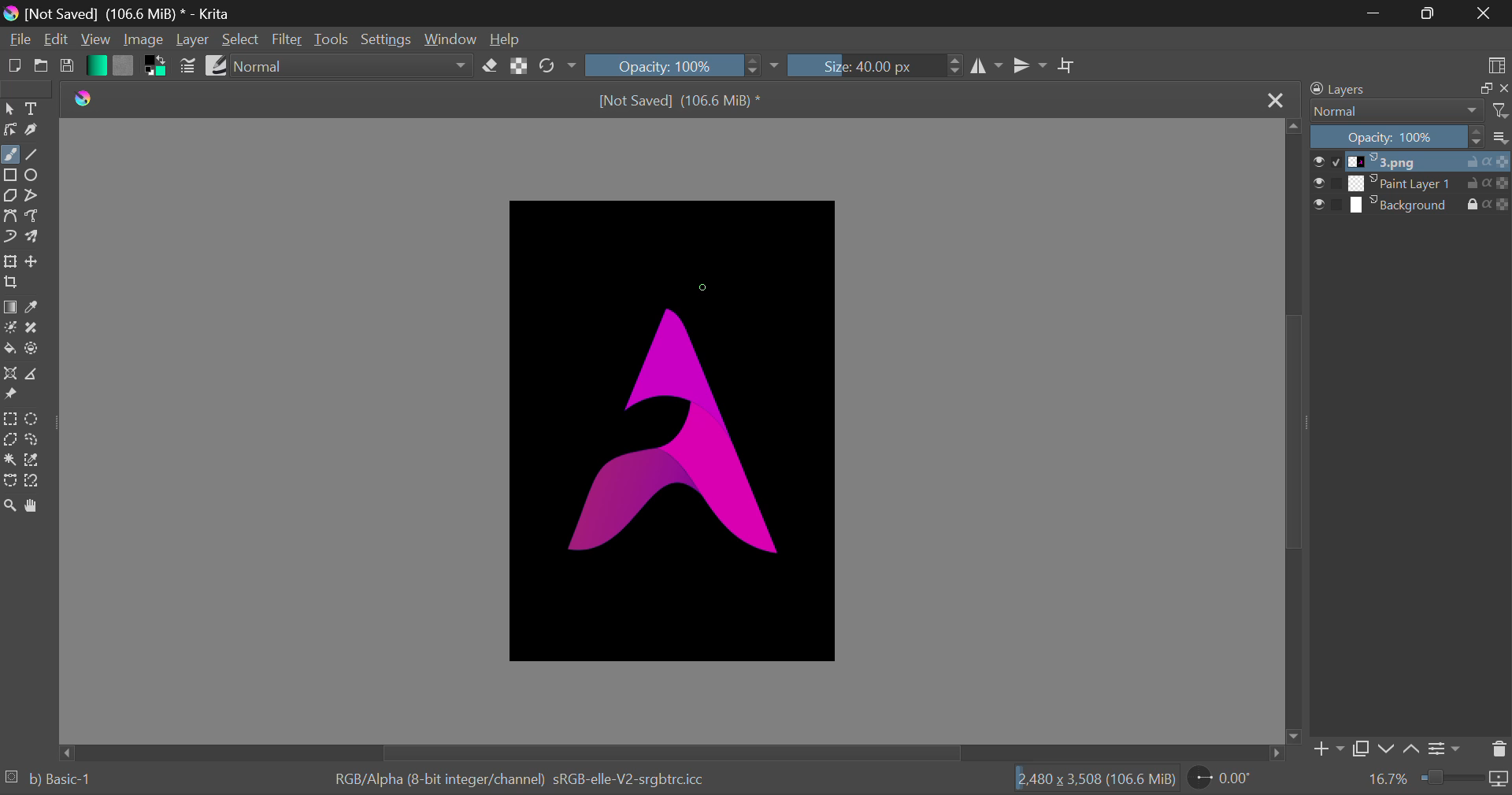  I want to click on Text, so click(33, 108).